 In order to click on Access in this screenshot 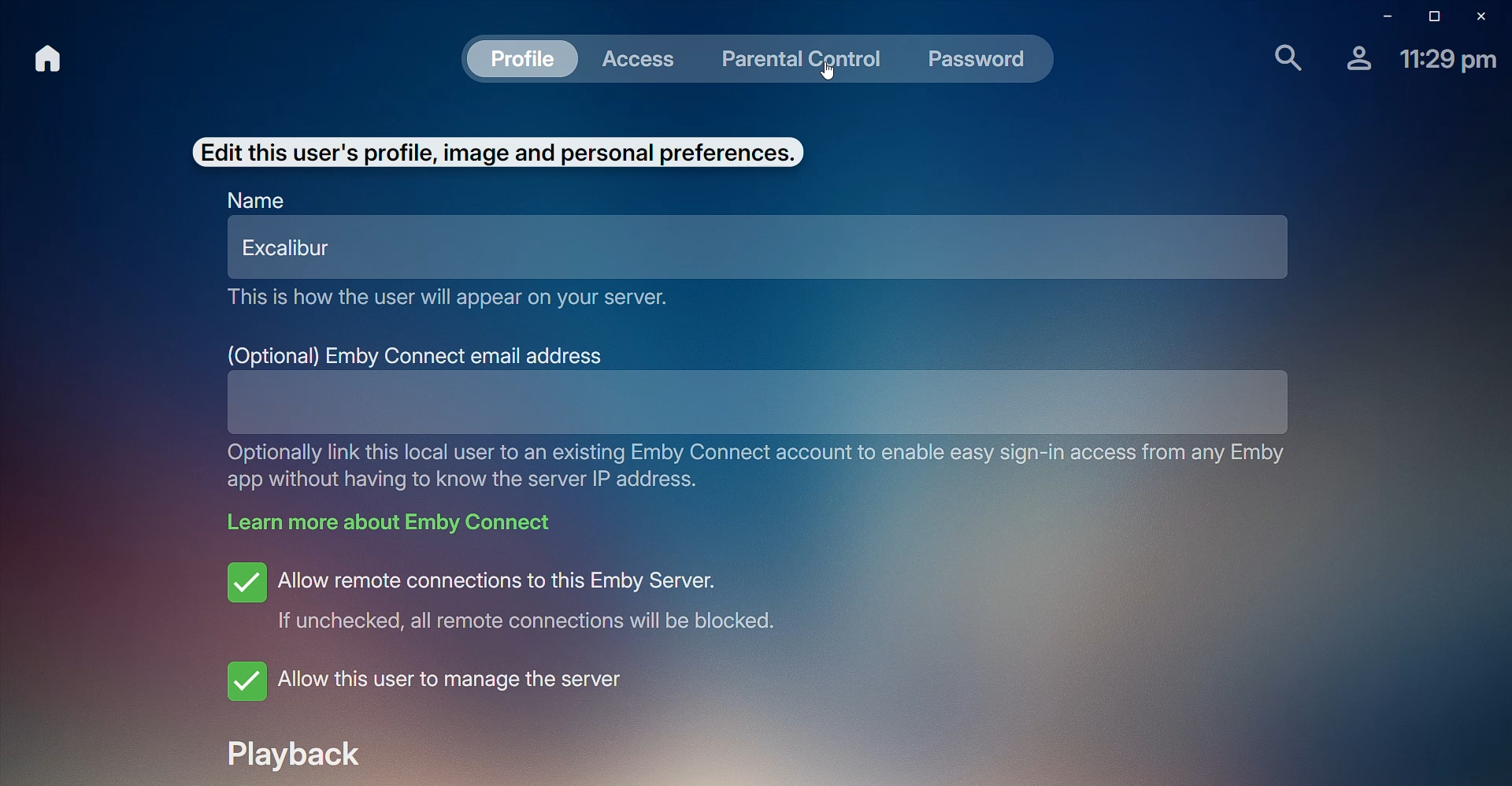, I will do `click(644, 59)`.